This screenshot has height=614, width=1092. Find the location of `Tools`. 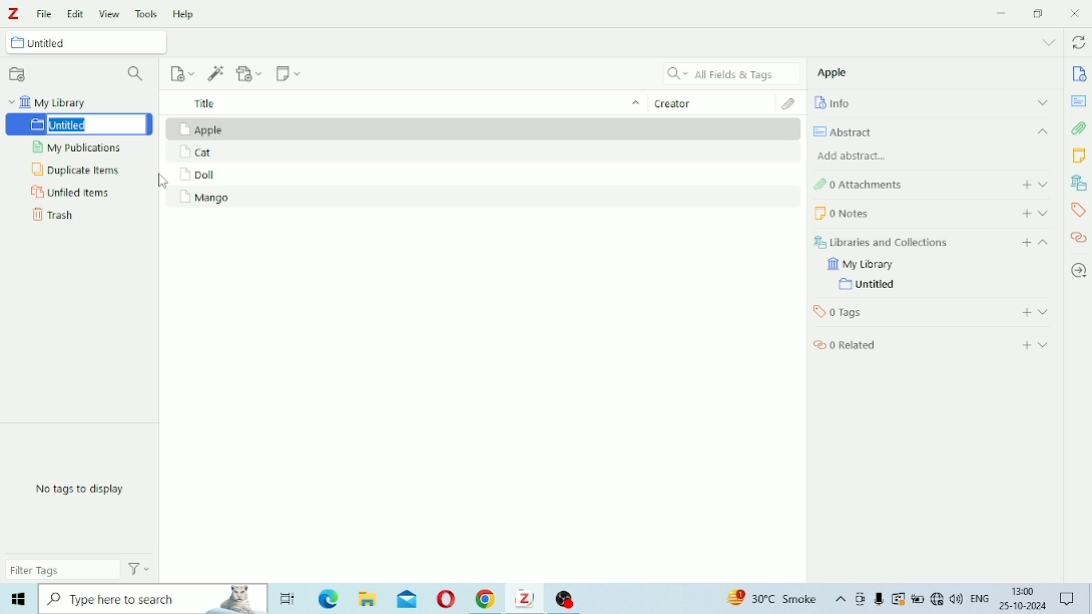

Tools is located at coordinates (147, 13).